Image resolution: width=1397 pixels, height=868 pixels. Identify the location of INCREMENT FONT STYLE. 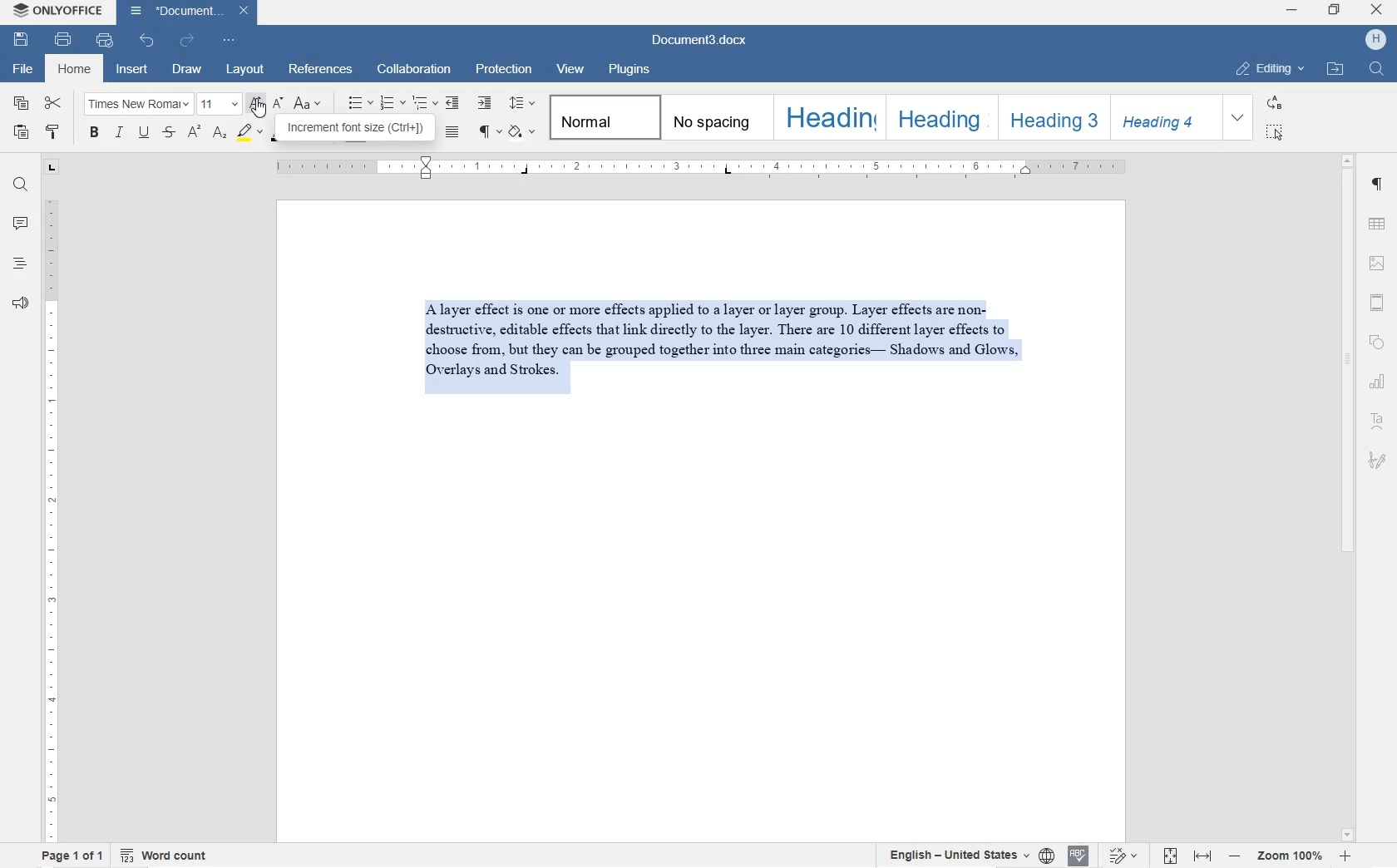
(357, 130).